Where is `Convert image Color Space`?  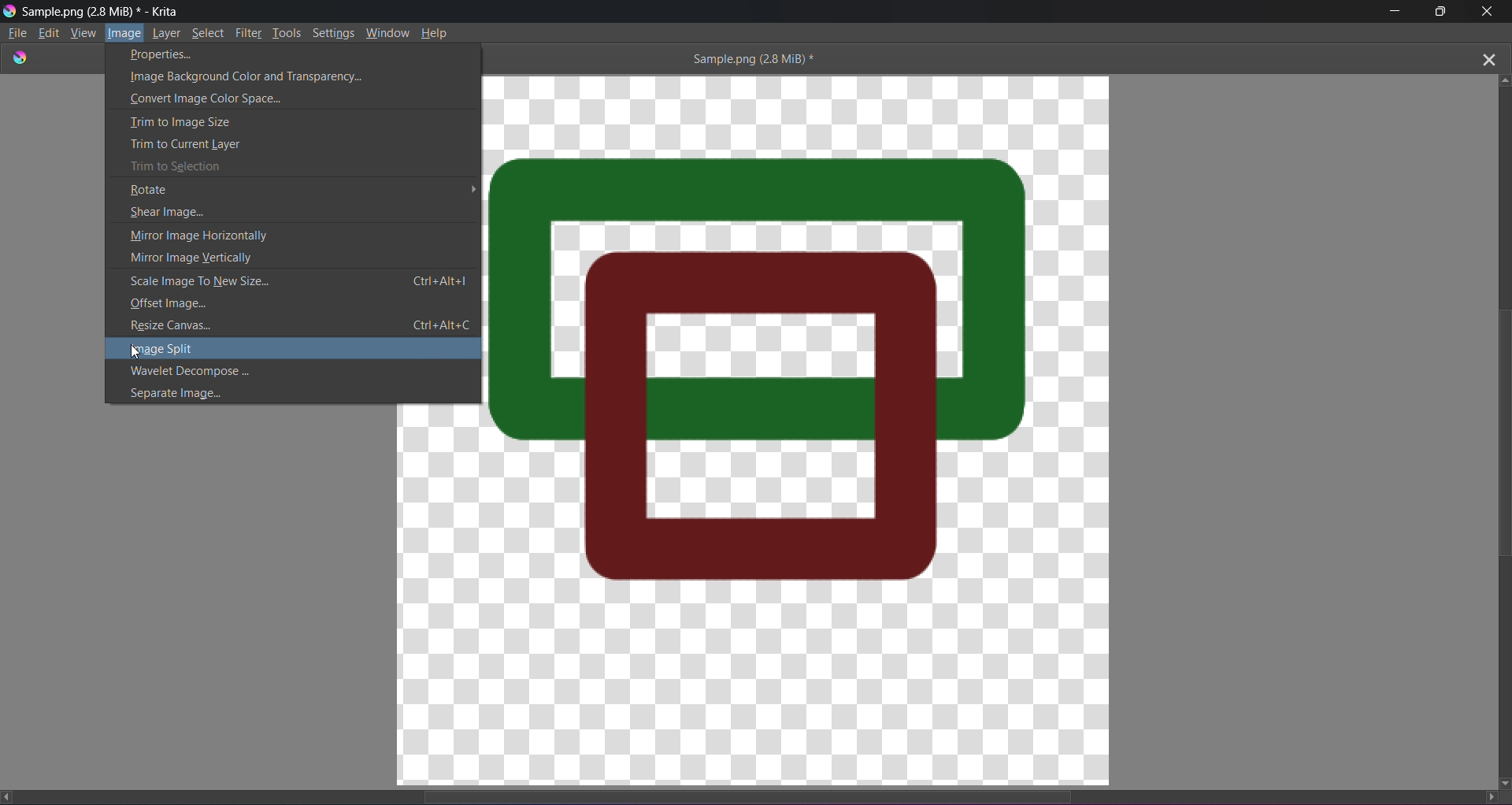
Convert image Color Space is located at coordinates (280, 98).